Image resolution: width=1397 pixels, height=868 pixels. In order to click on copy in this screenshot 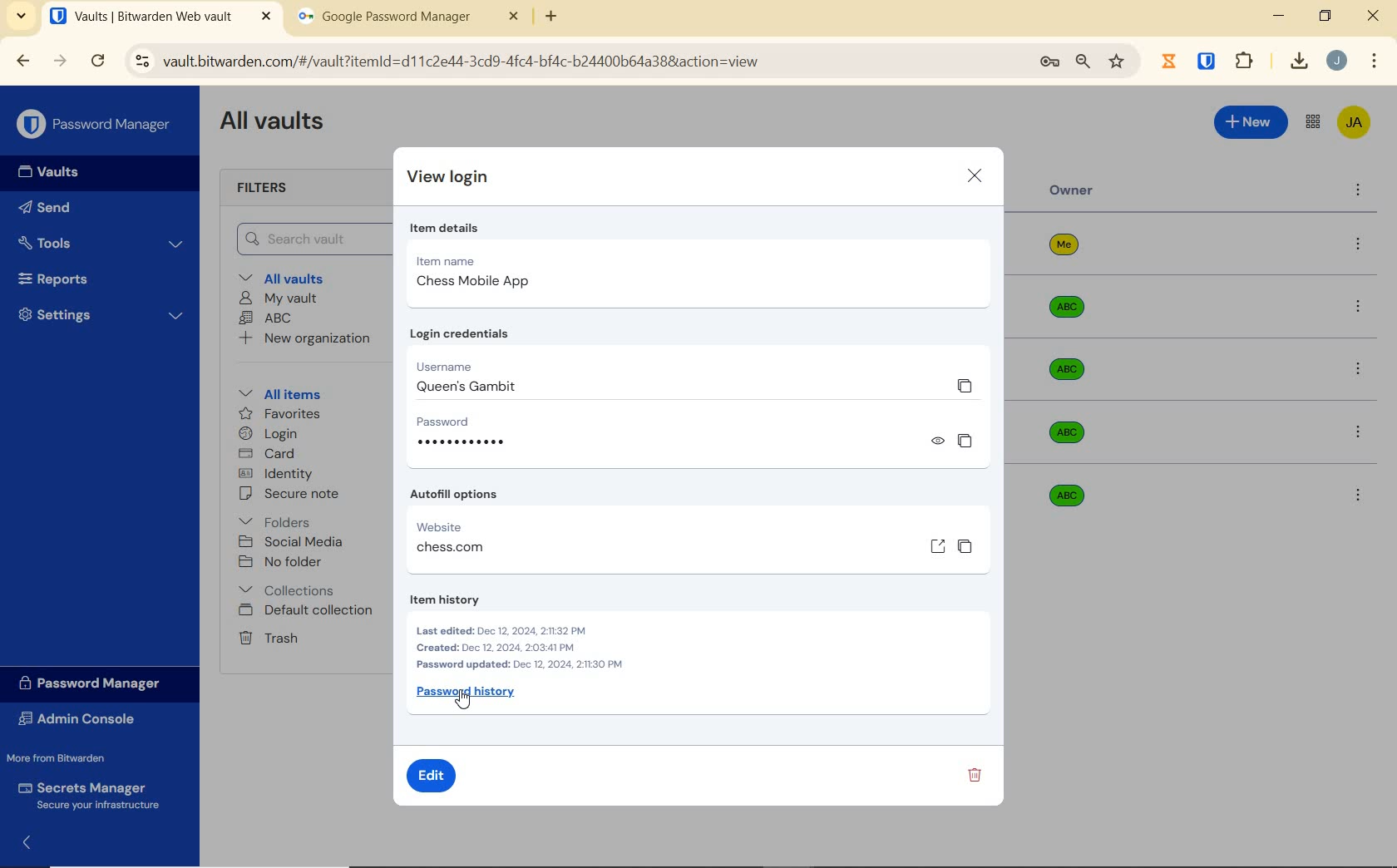, I will do `click(964, 441)`.